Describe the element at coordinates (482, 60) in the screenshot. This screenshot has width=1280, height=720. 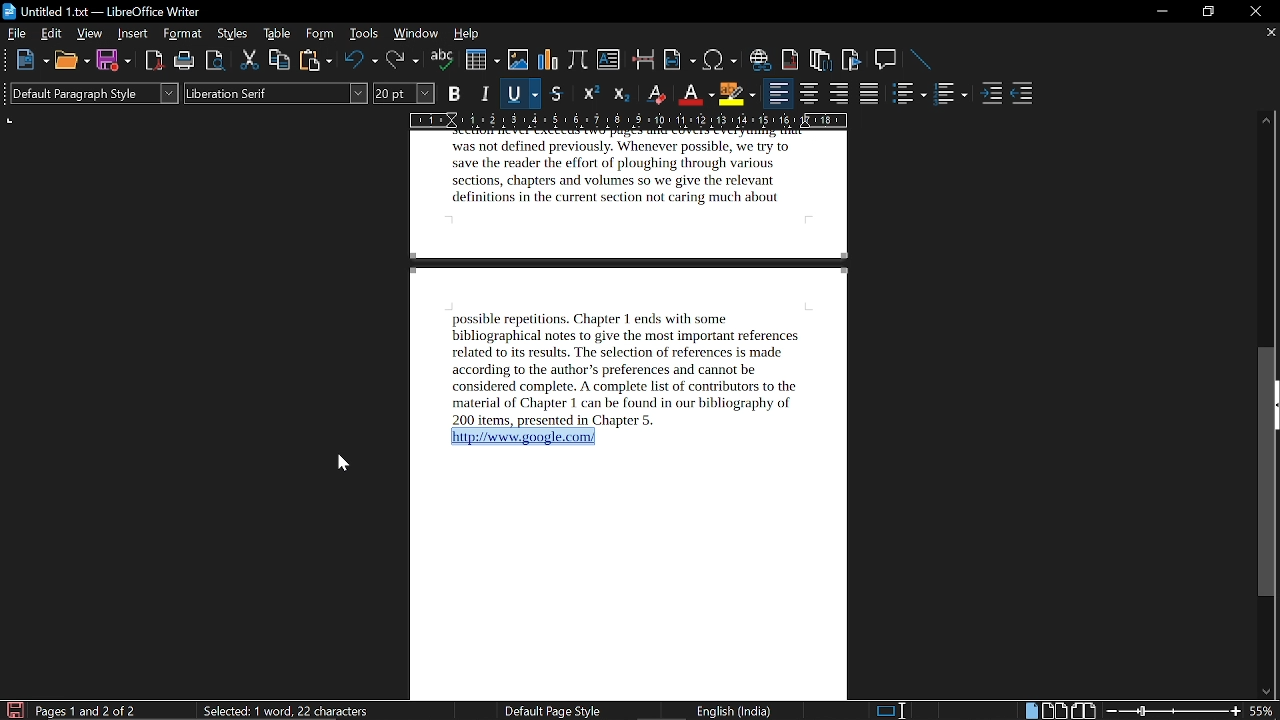
I see `insert table` at that location.